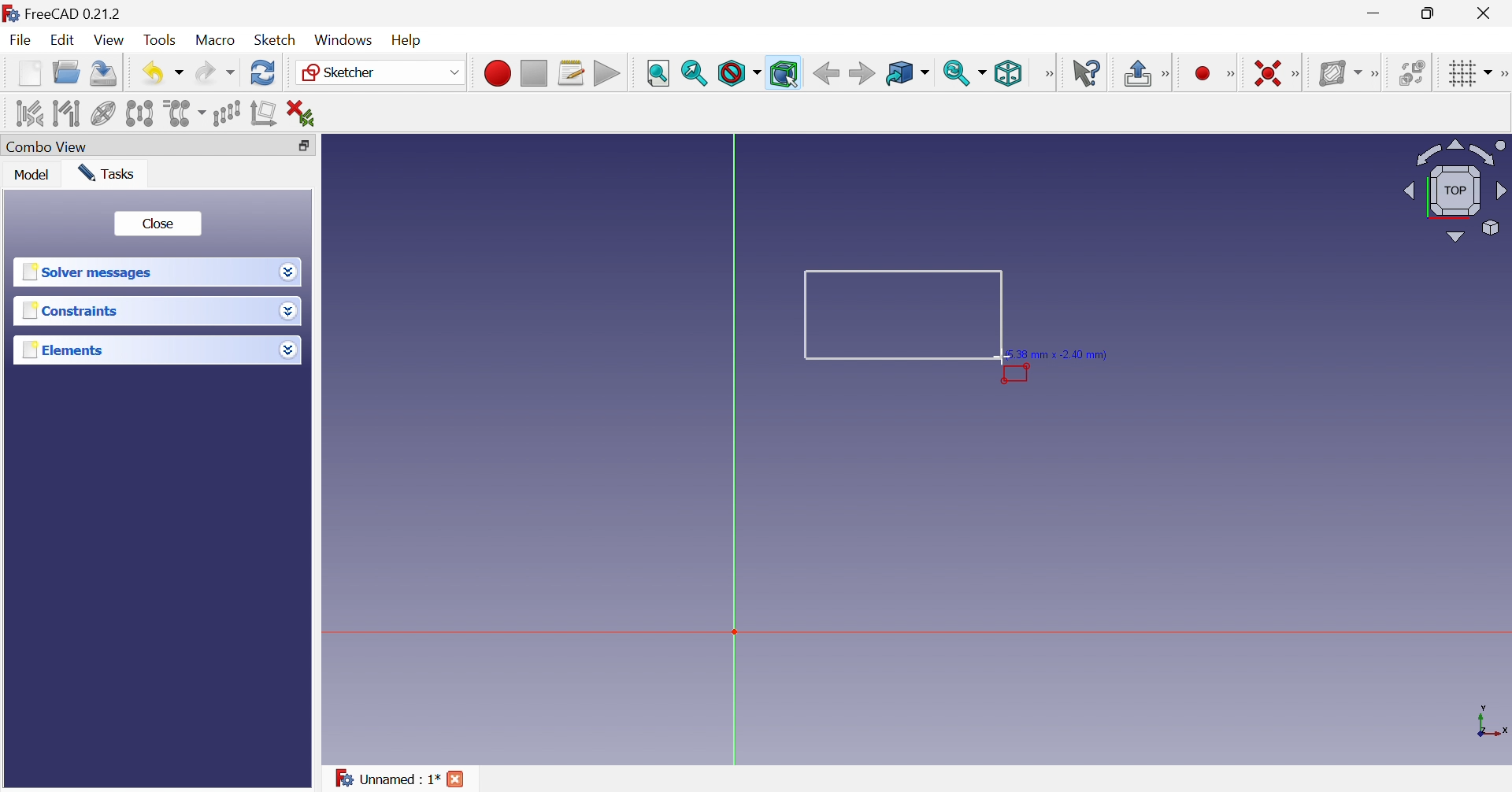 This screenshot has height=792, width=1512. What do you see at coordinates (288, 311) in the screenshot?
I see `Drop down` at bounding box center [288, 311].